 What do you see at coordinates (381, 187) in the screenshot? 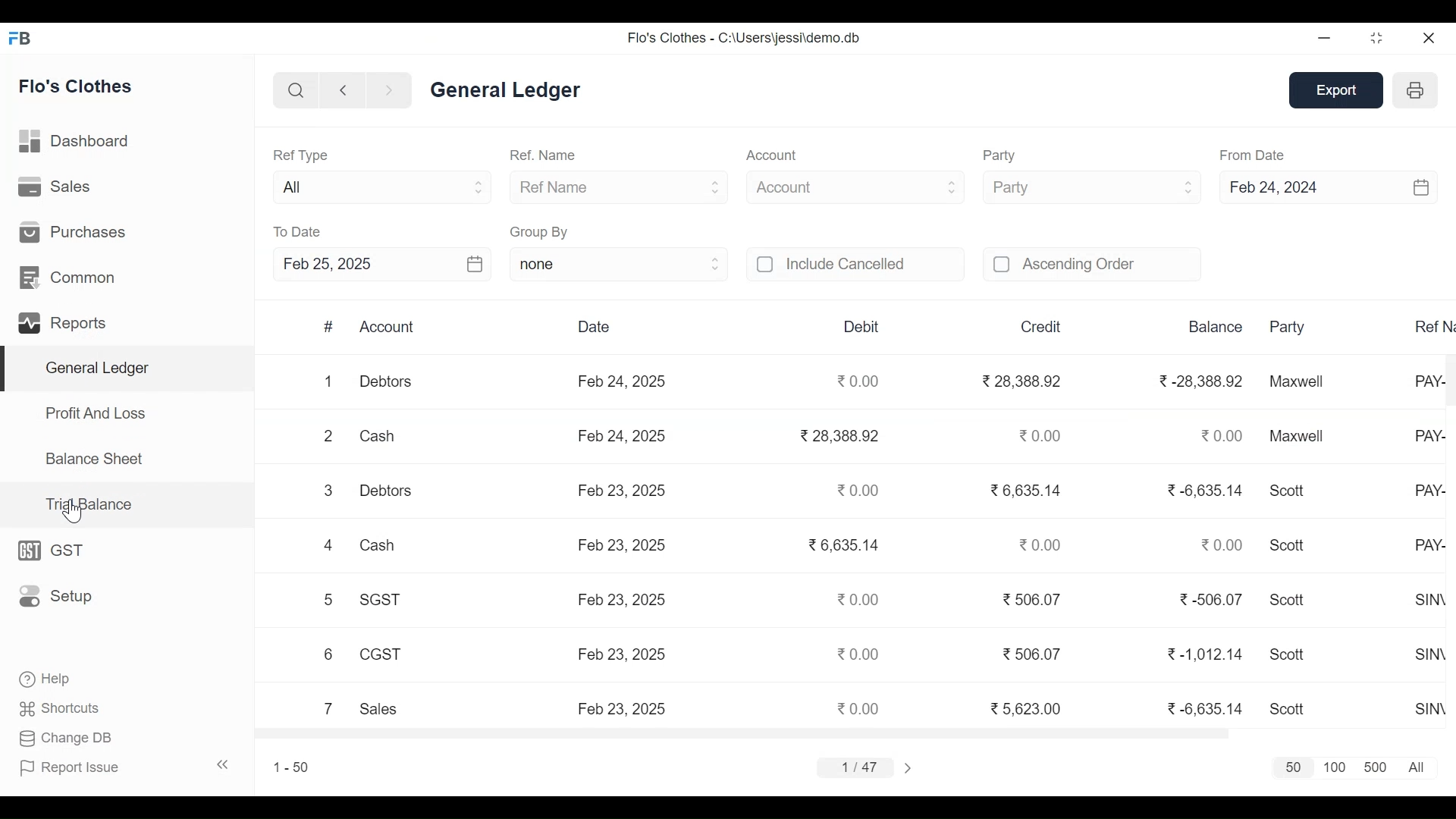
I see `All` at bounding box center [381, 187].